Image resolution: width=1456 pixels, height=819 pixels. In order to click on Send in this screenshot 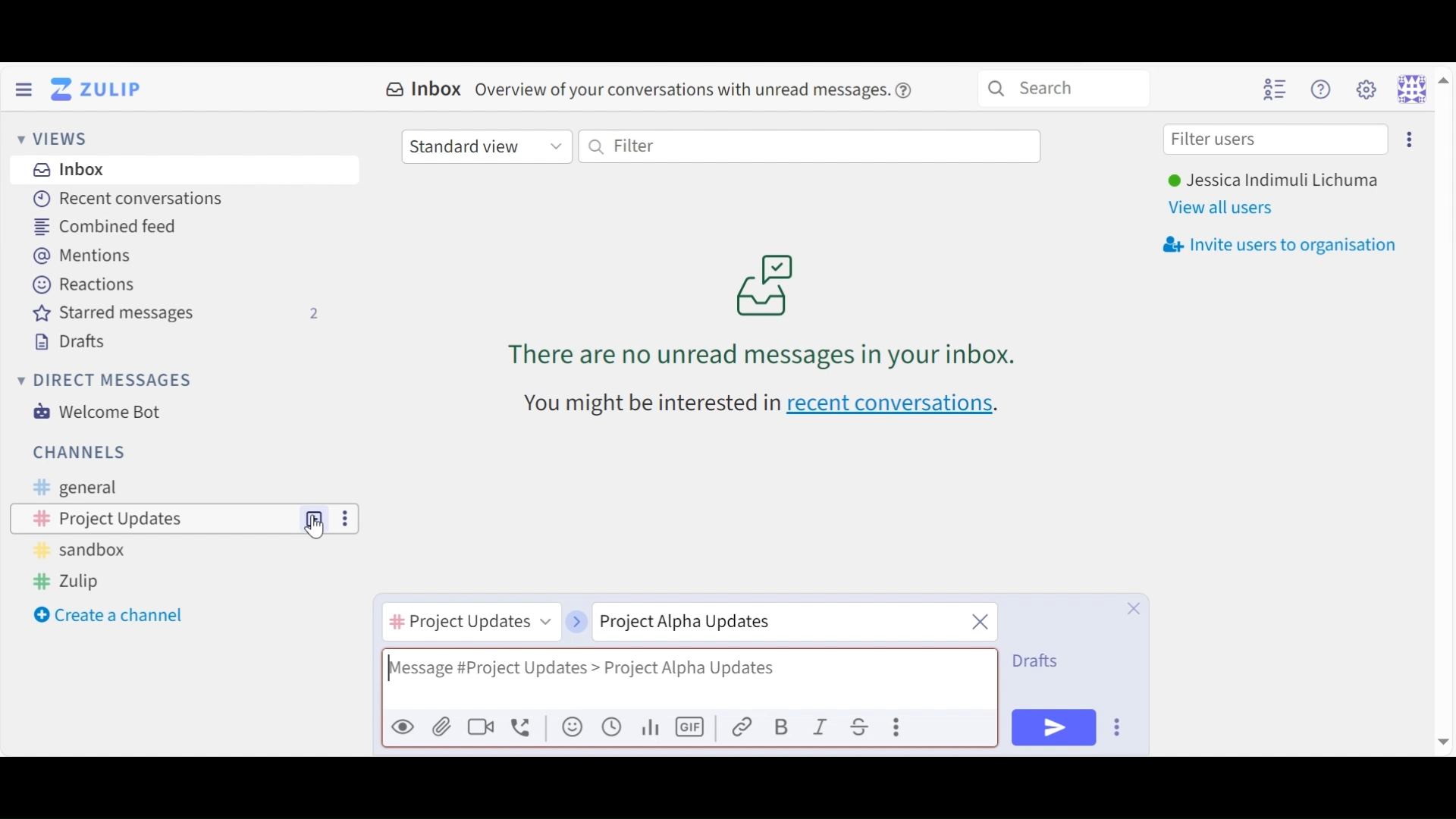, I will do `click(1053, 727)`.